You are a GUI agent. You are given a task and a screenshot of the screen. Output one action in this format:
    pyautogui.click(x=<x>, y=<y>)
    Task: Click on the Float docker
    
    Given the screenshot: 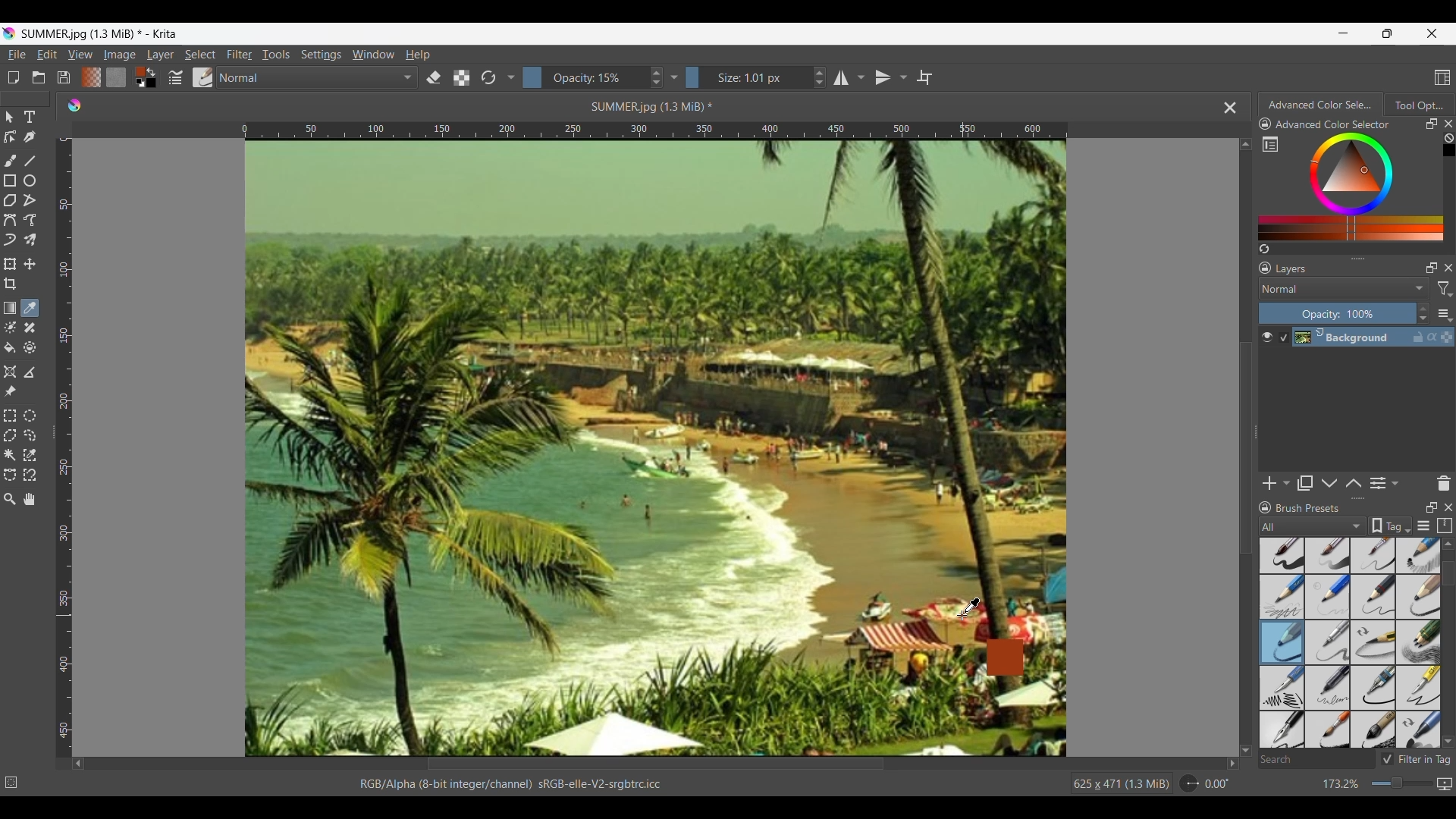 What is the action you would take?
    pyautogui.click(x=1432, y=268)
    